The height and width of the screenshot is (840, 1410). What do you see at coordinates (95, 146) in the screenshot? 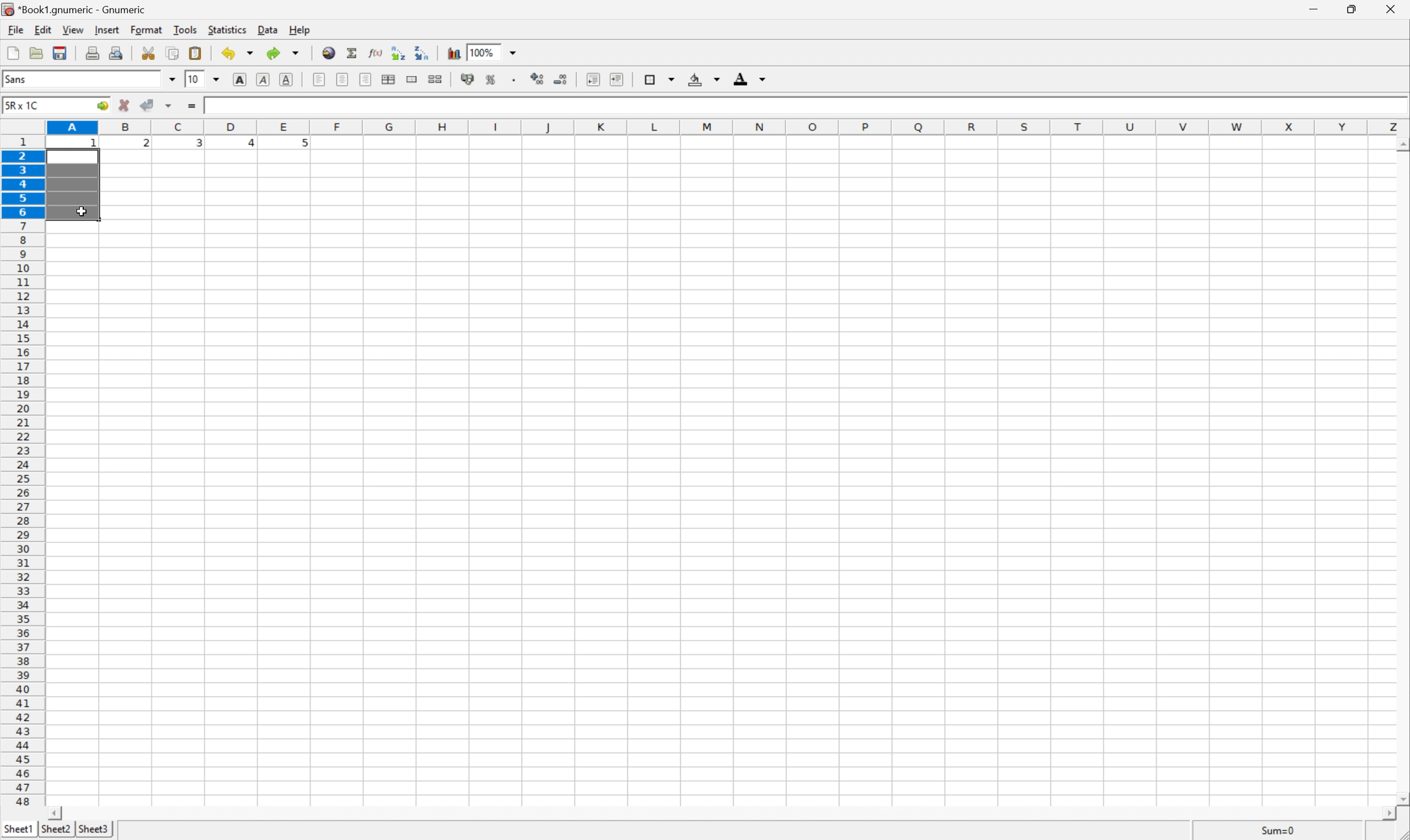
I see `1` at bounding box center [95, 146].